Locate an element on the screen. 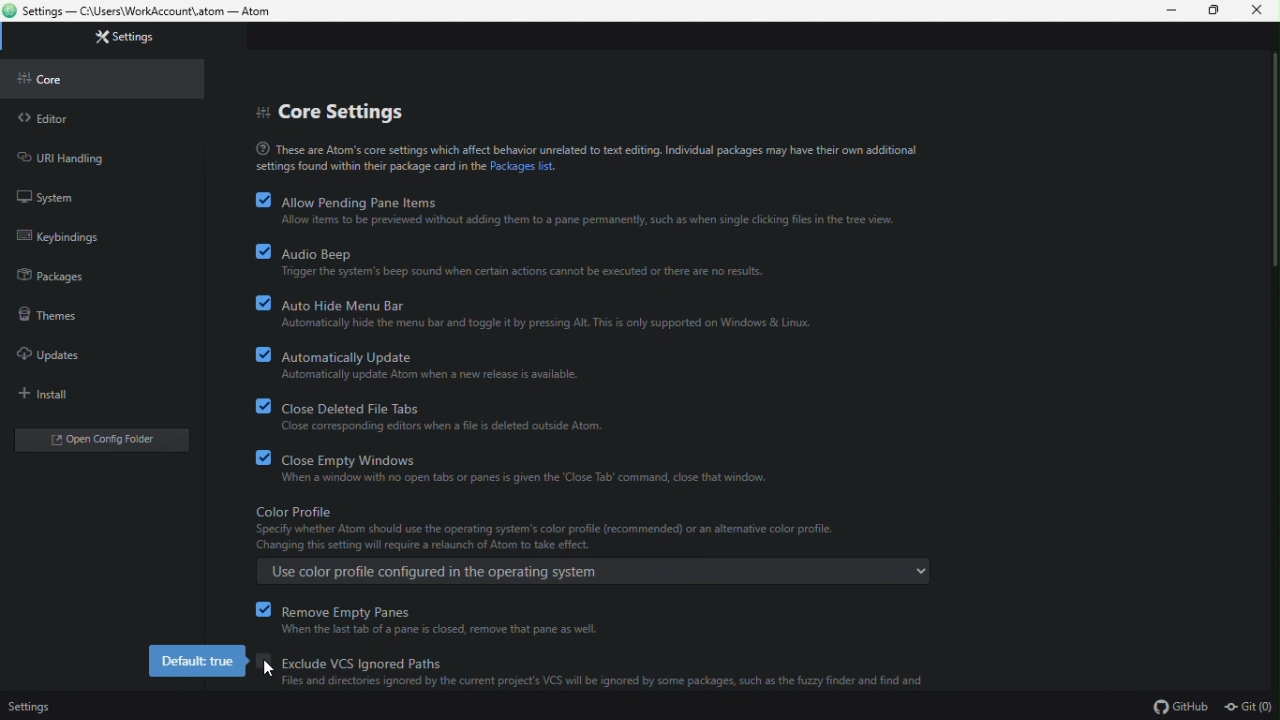  URL handling is located at coordinates (101, 158).